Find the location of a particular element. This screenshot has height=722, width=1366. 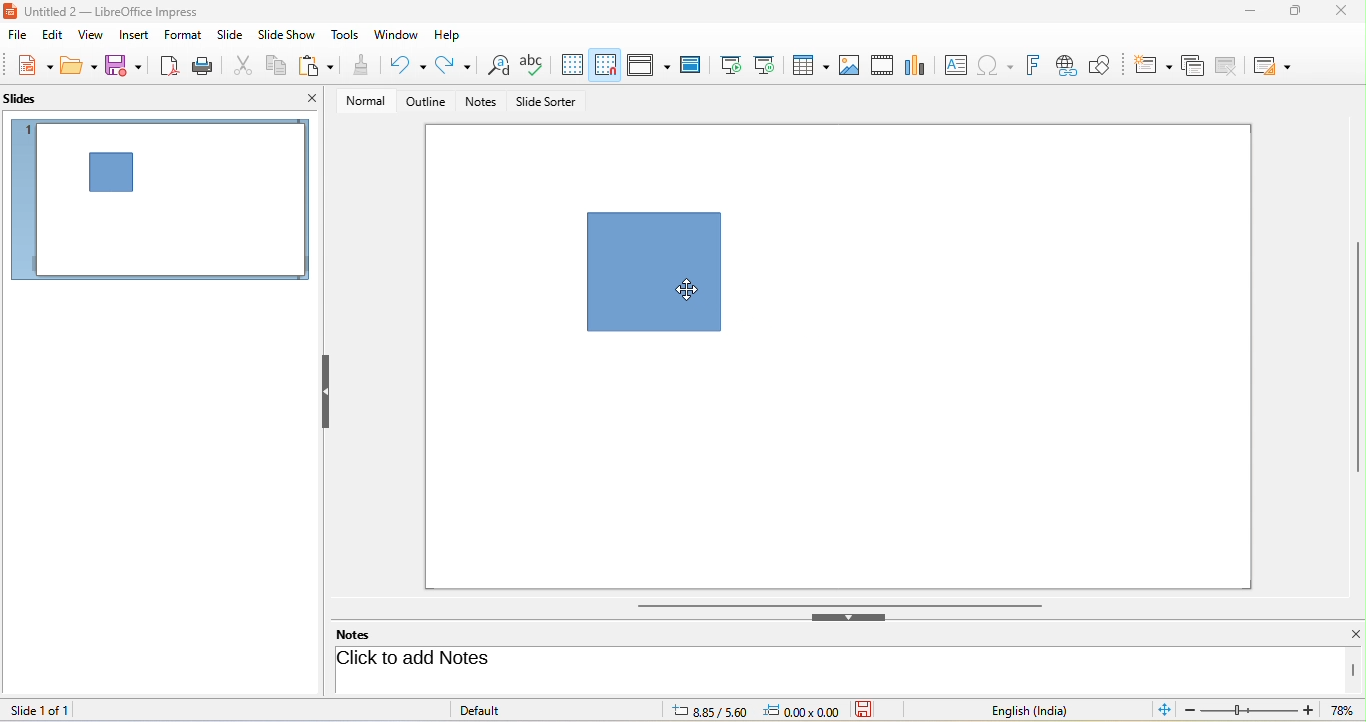

slide 1 preview is located at coordinates (160, 207).